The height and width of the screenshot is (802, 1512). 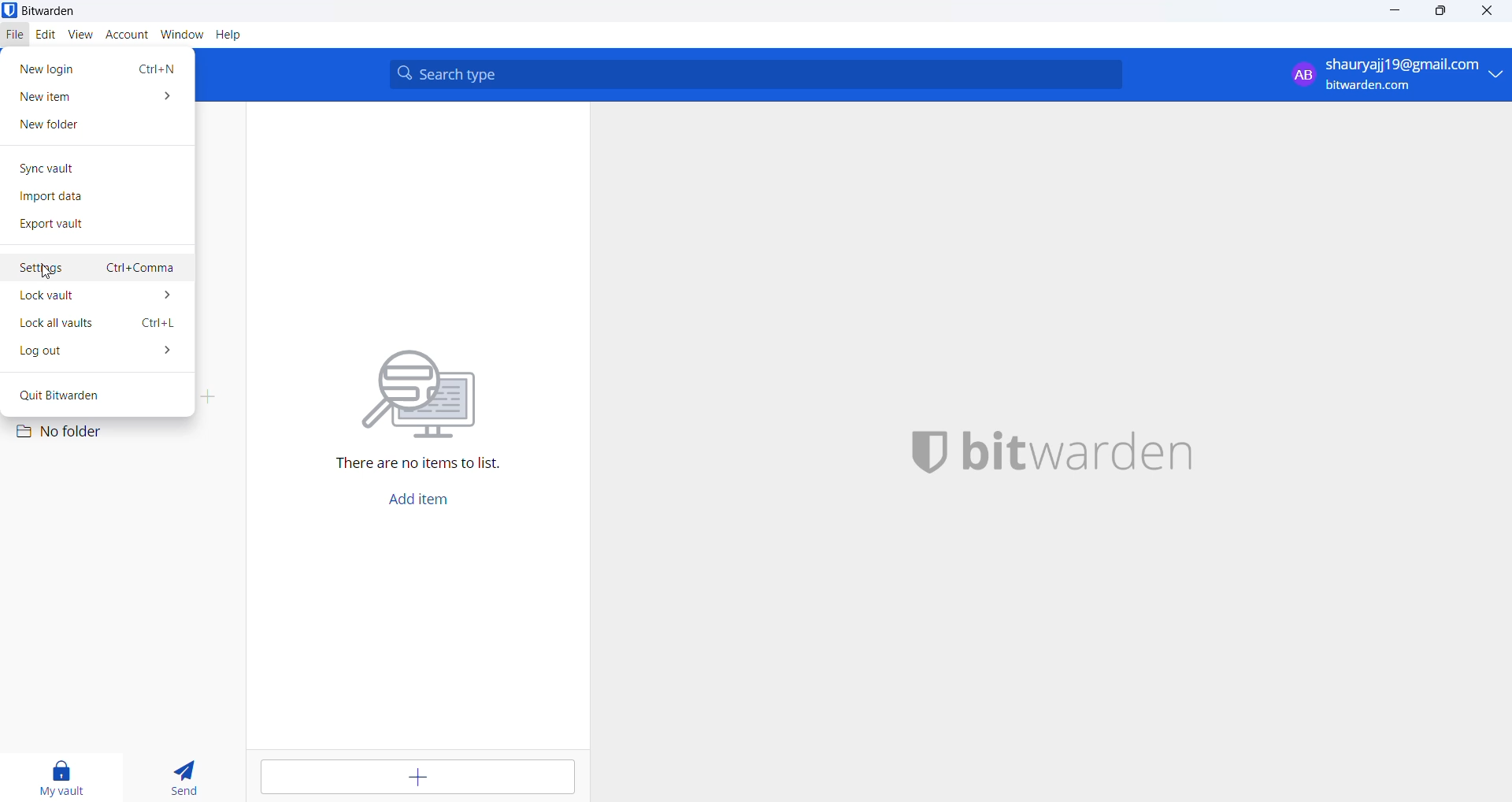 What do you see at coordinates (760, 72) in the screenshot?
I see `search type` at bounding box center [760, 72].